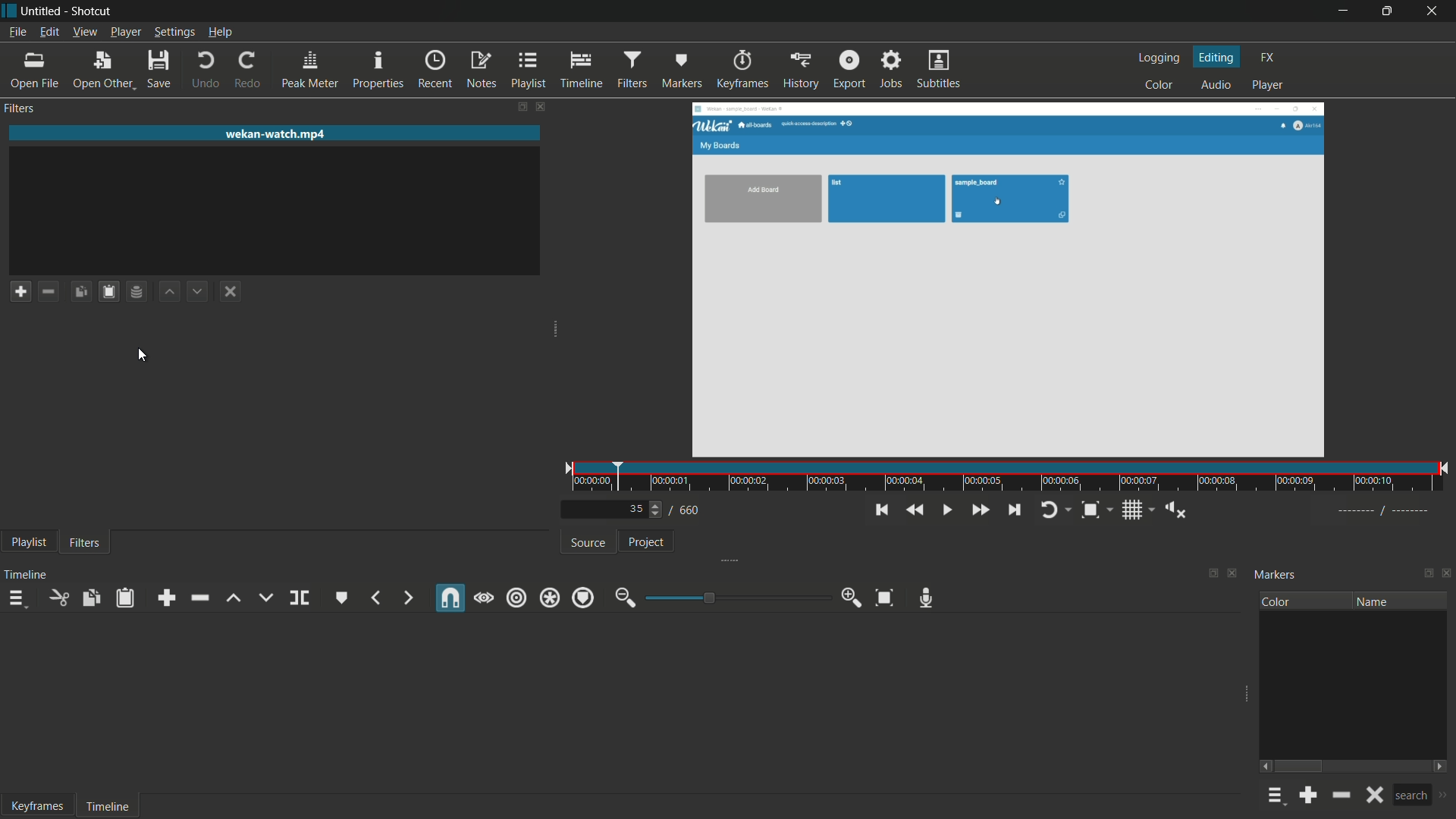 The width and height of the screenshot is (1456, 819). What do you see at coordinates (311, 71) in the screenshot?
I see `peak meter` at bounding box center [311, 71].